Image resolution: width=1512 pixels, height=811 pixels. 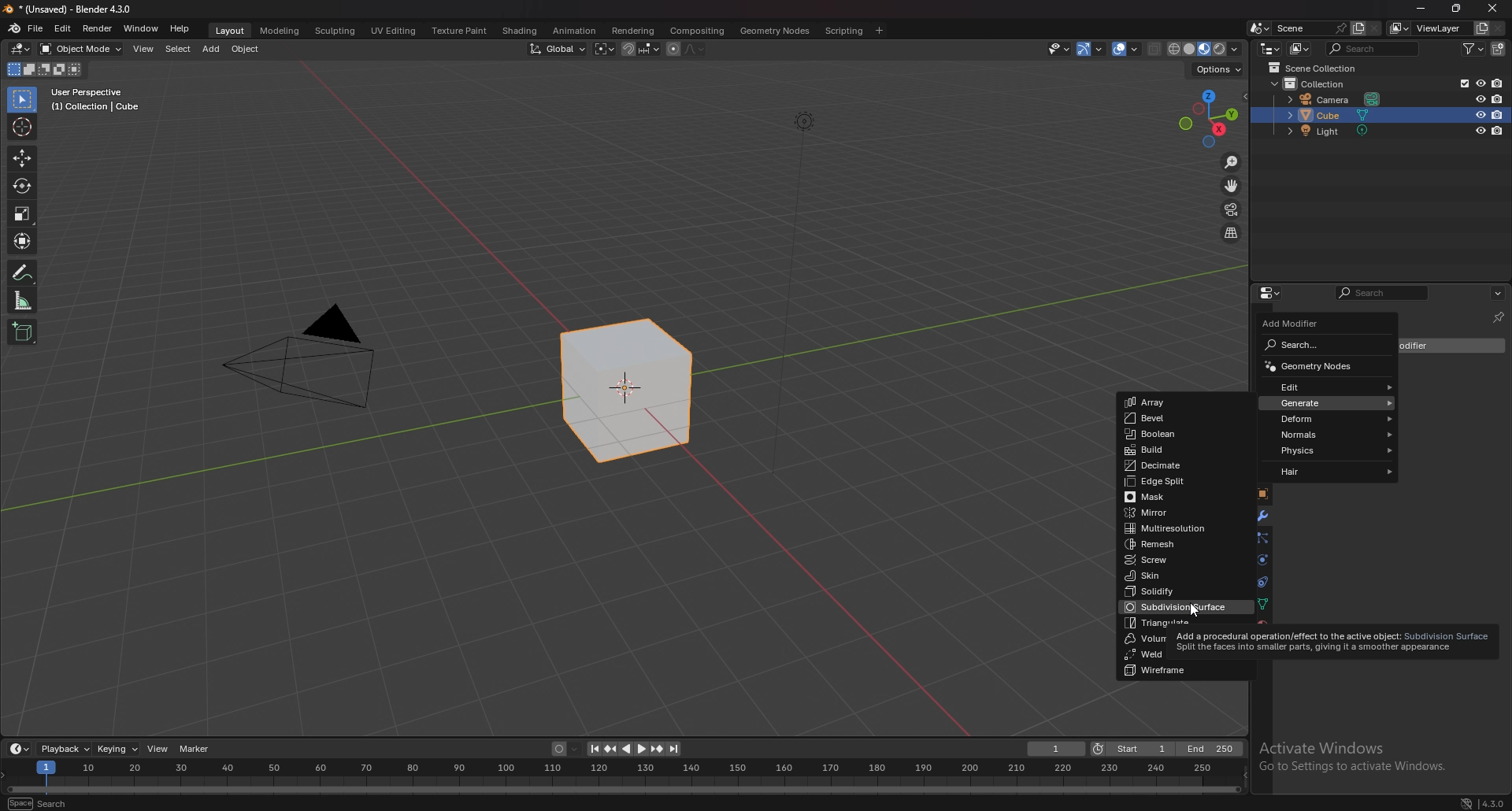 What do you see at coordinates (392, 30) in the screenshot?
I see `uv editing` at bounding box center [392, 30].